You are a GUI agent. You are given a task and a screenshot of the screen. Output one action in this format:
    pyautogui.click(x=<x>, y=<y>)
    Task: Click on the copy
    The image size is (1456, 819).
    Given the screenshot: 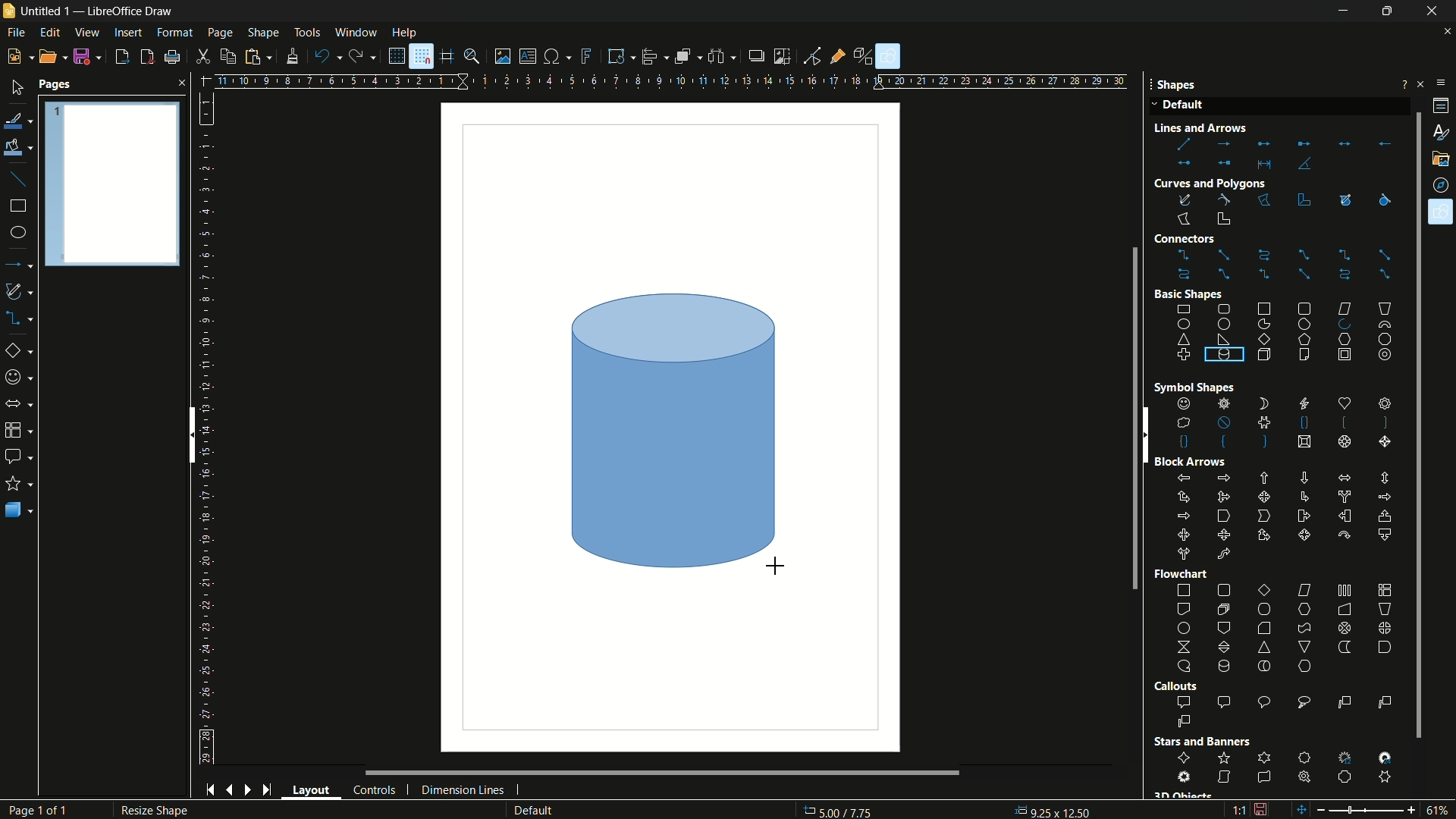 What is the action you would take?
    pyautogui.click(x=229, y=57)
    